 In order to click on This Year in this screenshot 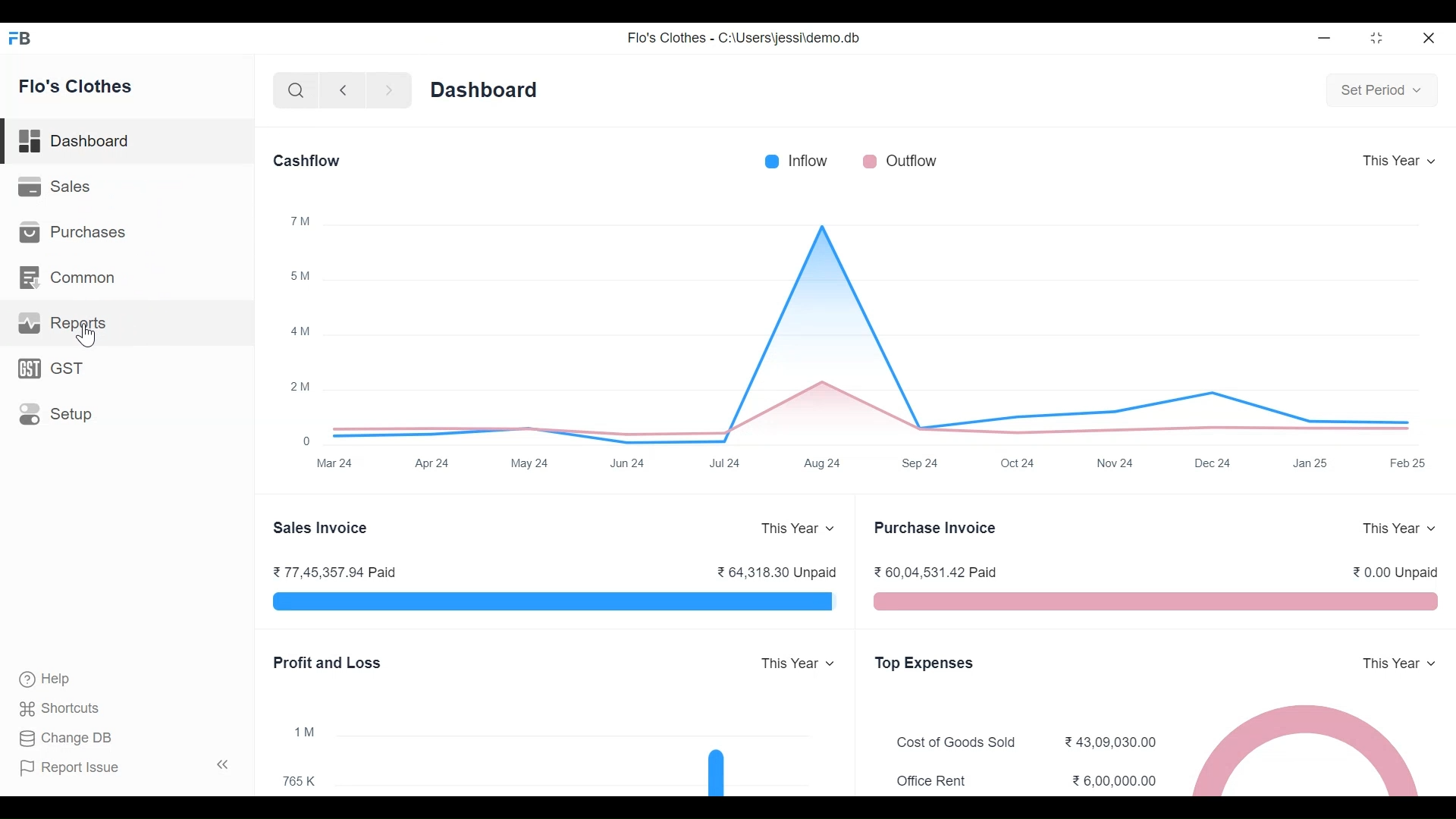, I will do `click(1386, 528)`.